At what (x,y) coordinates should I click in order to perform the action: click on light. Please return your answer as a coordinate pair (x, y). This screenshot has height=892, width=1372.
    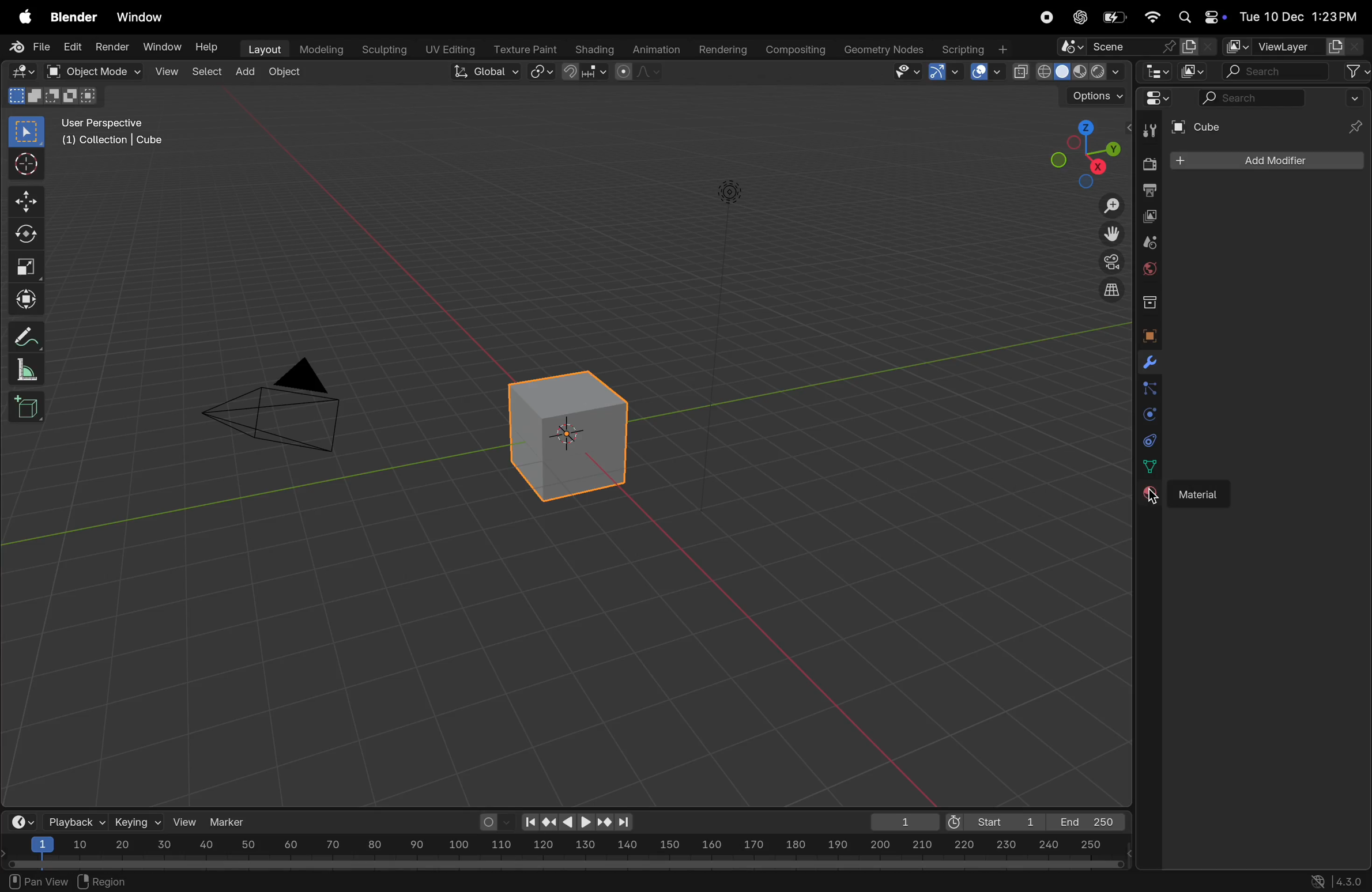
    Looking at the image, I should click on (730, 190).